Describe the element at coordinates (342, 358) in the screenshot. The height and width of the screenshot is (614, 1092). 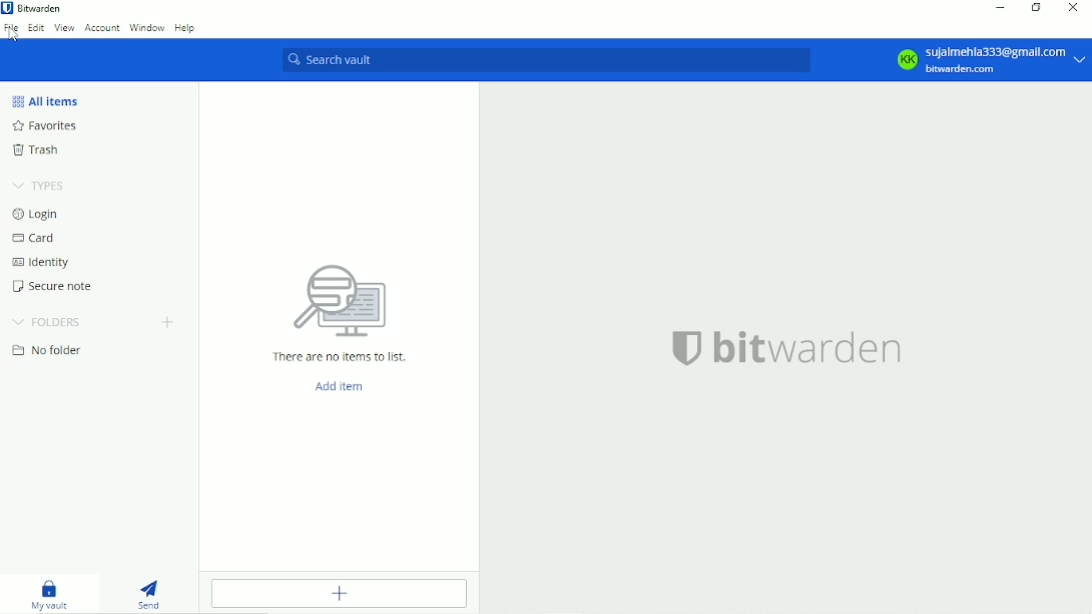
I see `There are no items to list` at that location.